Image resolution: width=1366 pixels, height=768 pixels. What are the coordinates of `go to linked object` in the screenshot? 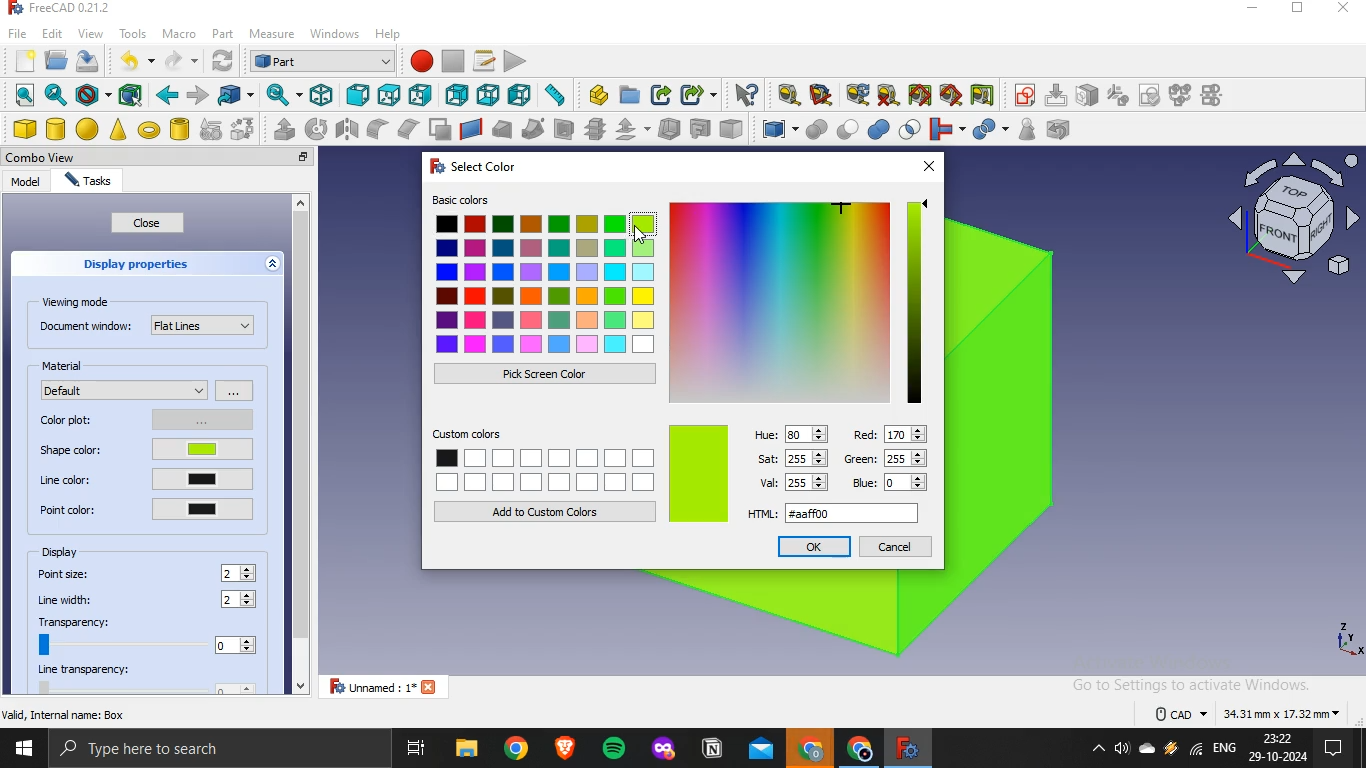 It's located at (236, 94).